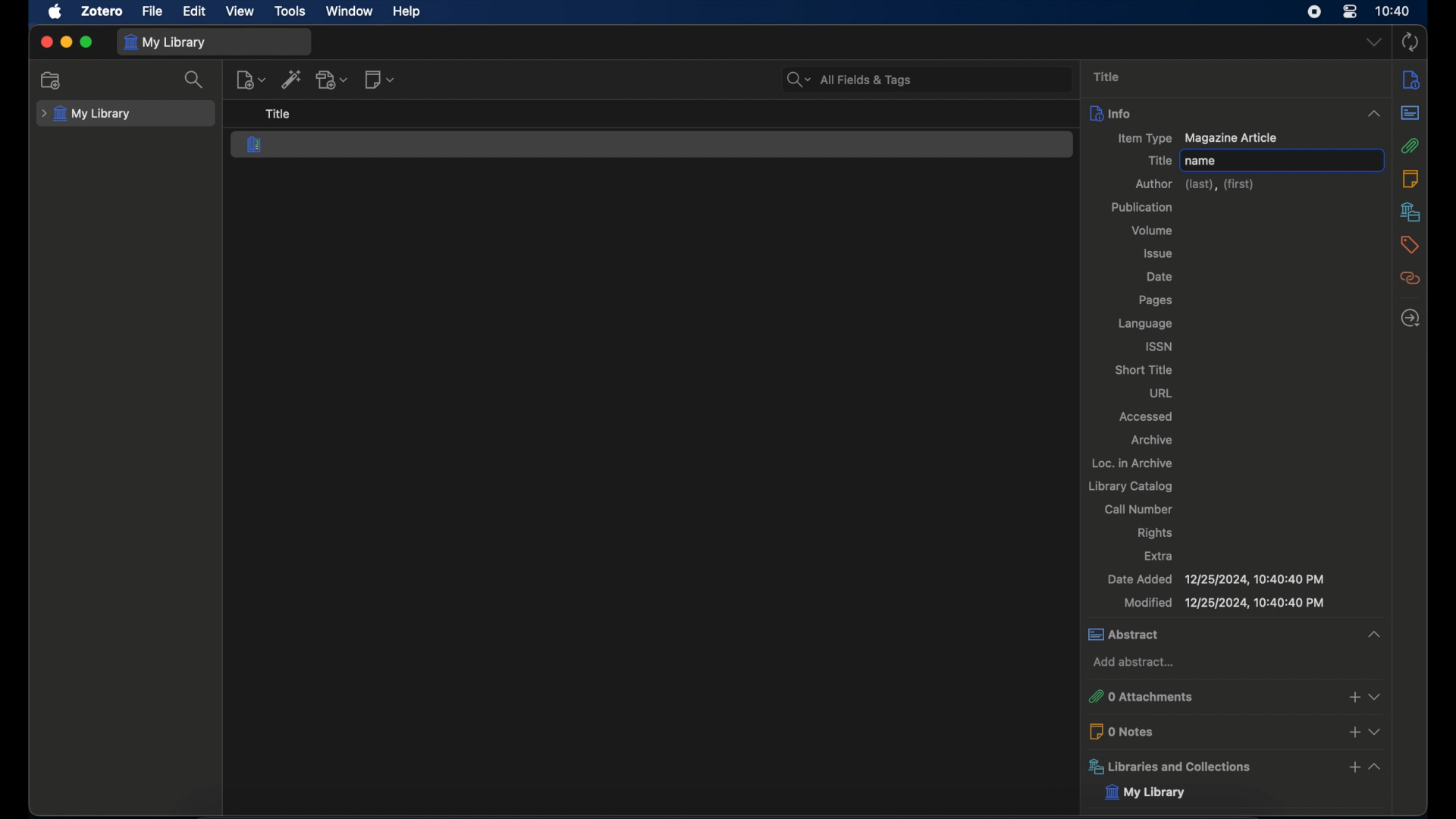 Image resolution: width=1456 pixels, height=819 pixels. I want to click on info, so click(1235, 112).